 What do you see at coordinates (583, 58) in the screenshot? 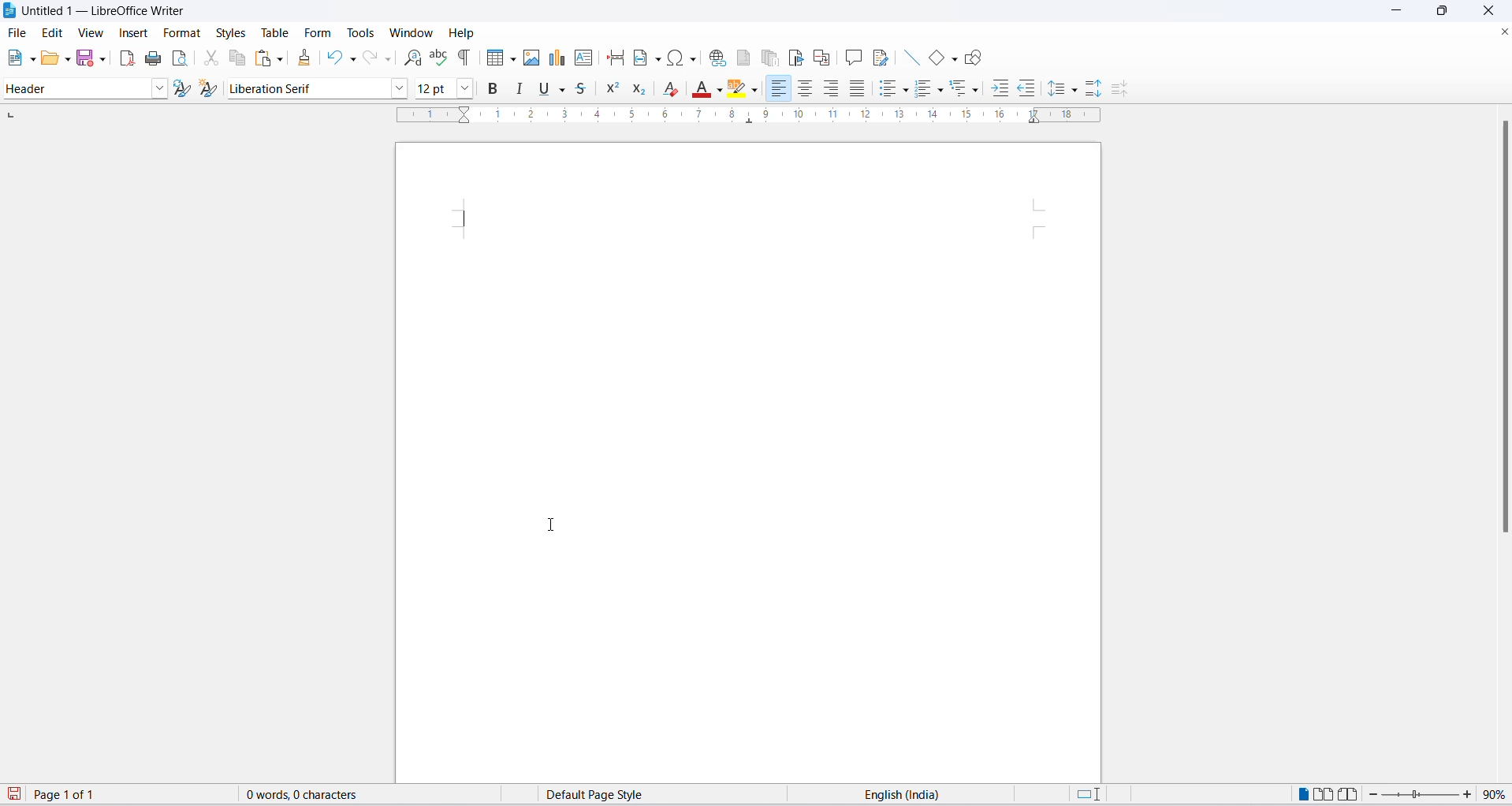
I see `insert text` at bounding box center [583, 58].